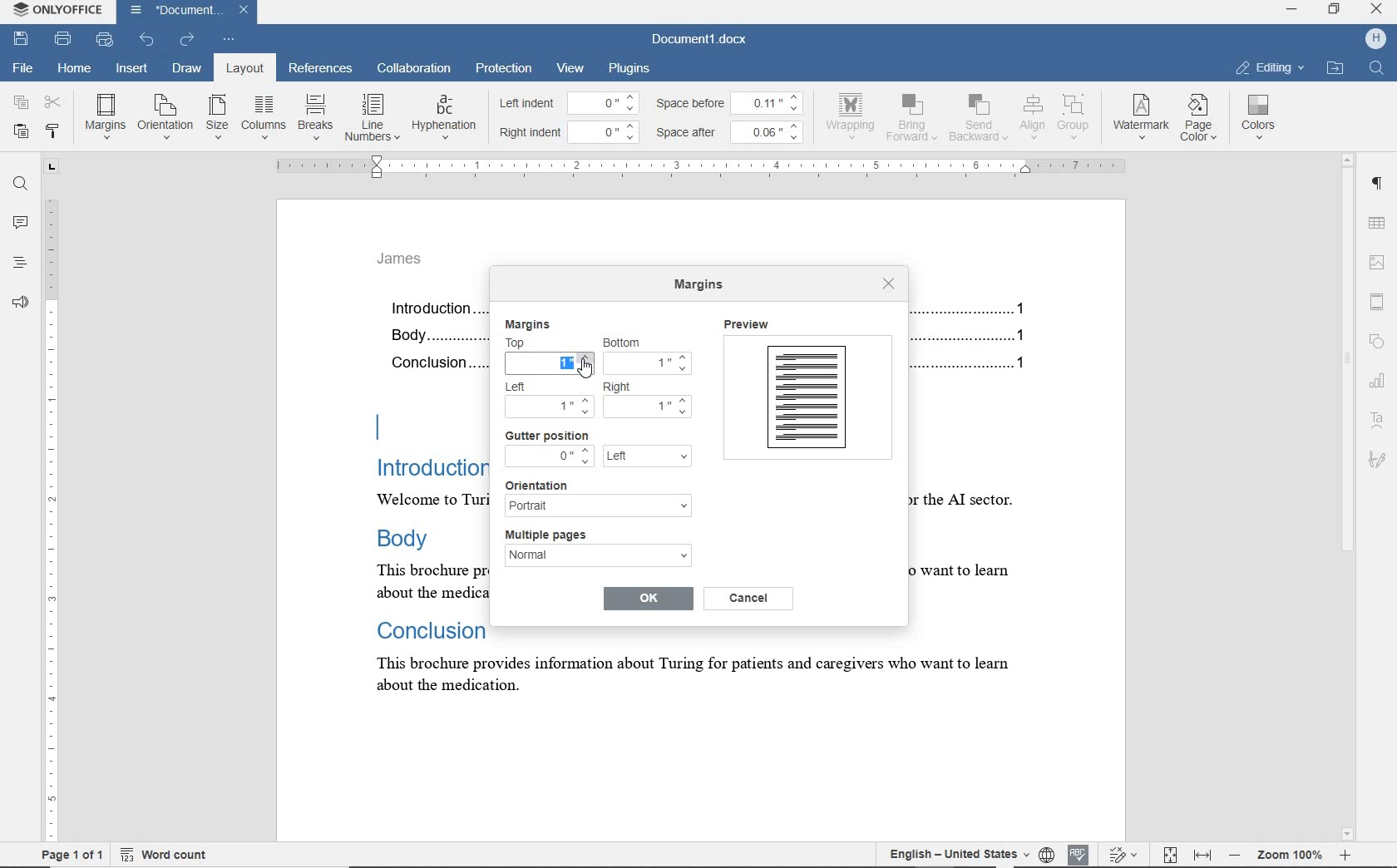 The width and height of the screenshot is (1397, 868). I want to click on spell check, so click(1079, 853).